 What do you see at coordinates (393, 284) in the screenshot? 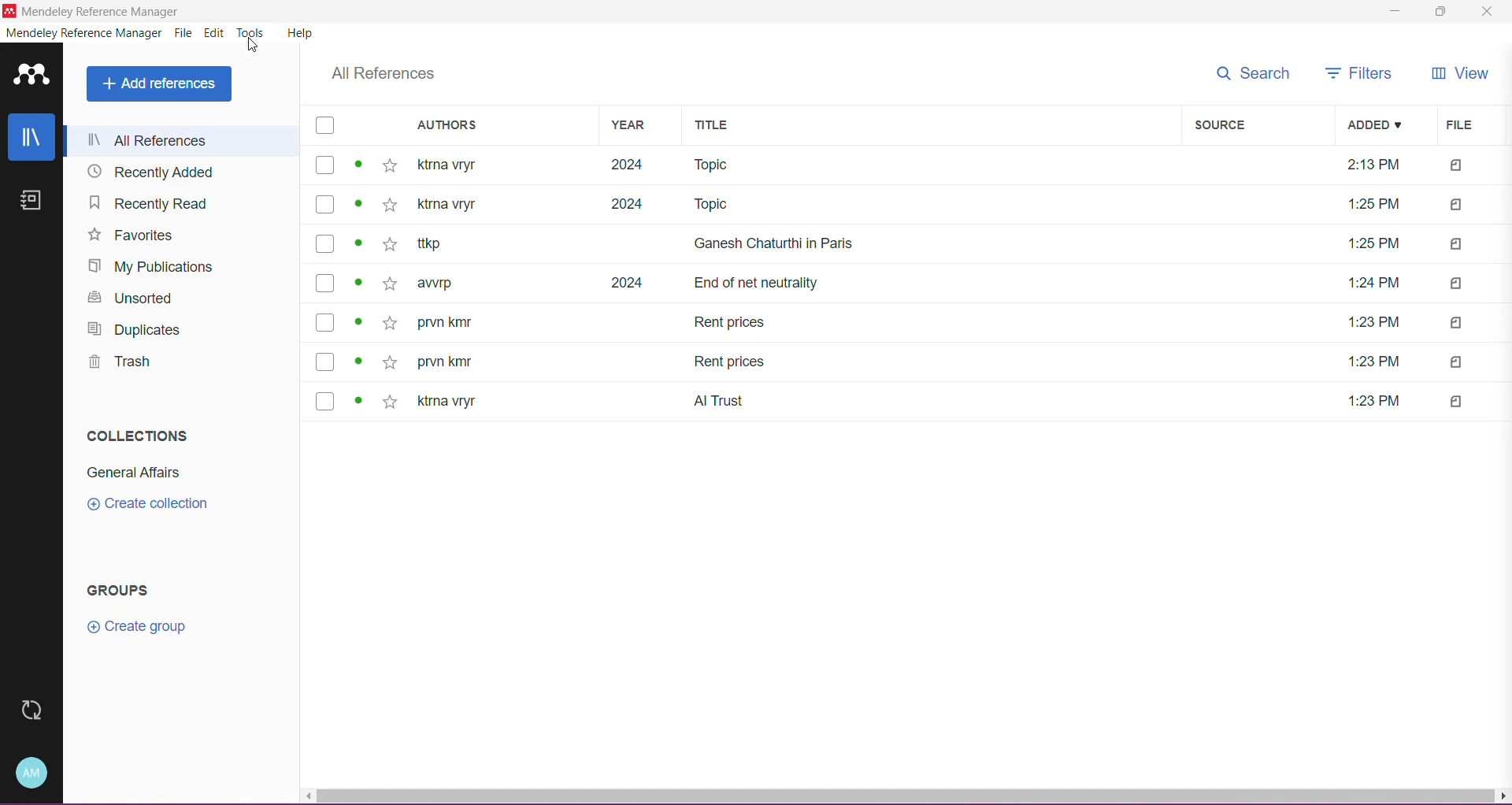
I see `favourite` at bounding box center [393, 284].